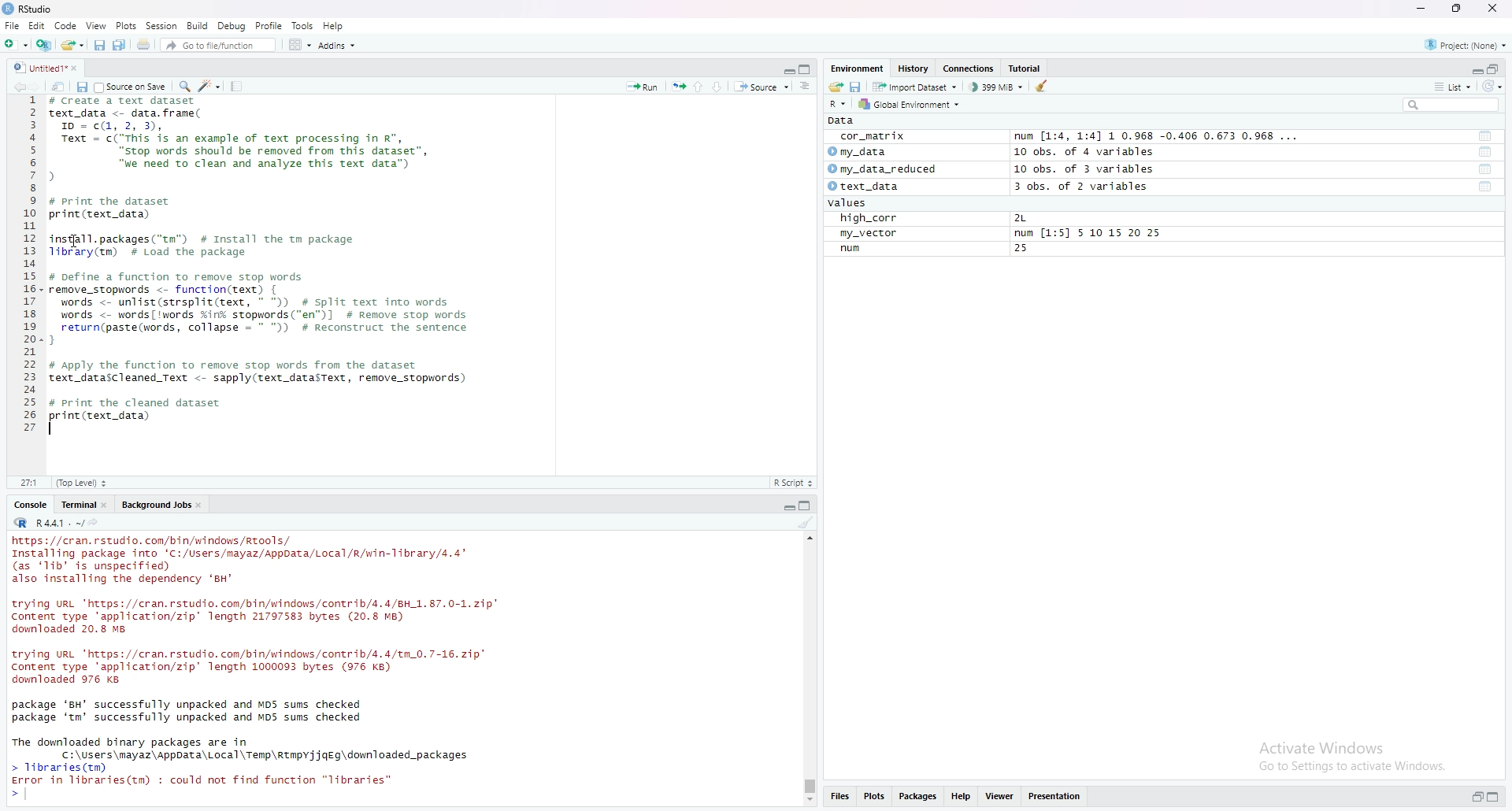  What do you see at coordinates (838, 104) in the screenshot?
I see `R` at bounding box center [838, 104].